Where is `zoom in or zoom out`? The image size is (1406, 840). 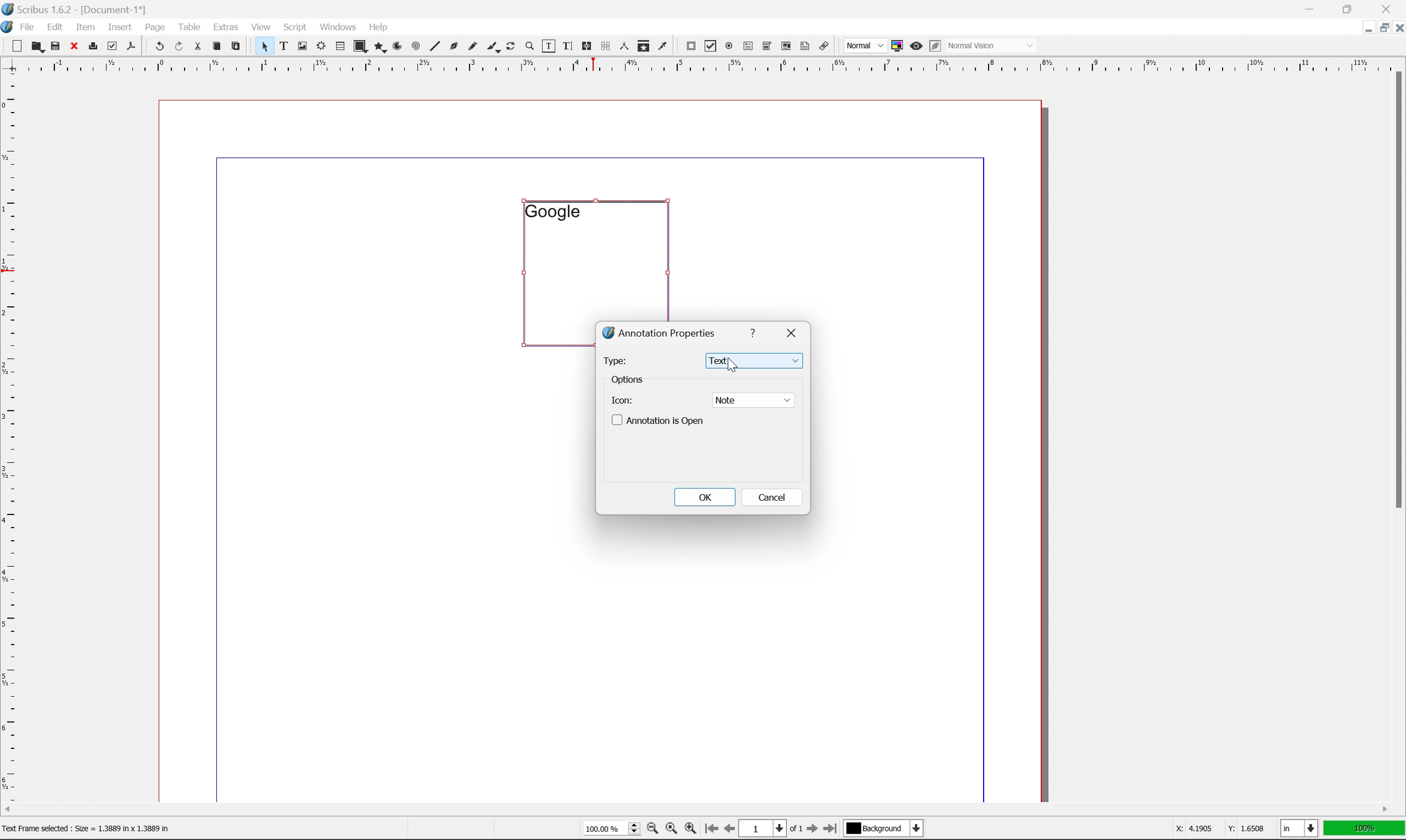 zoom in or zoom out is located at coordinates (531, 47).